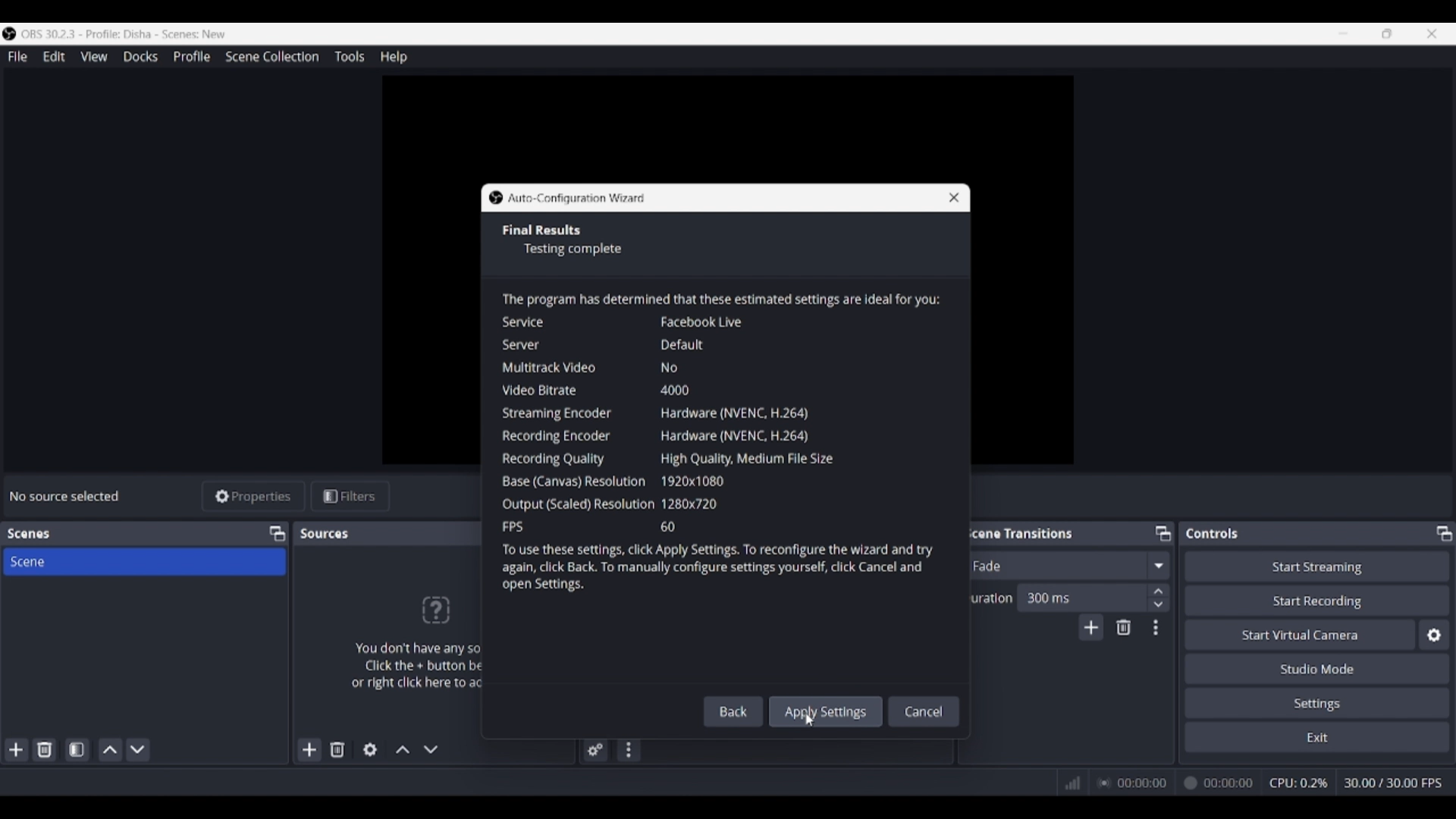 The image size is (1456, 819). I want to click on Apply all inputs made, so click(827, 712).